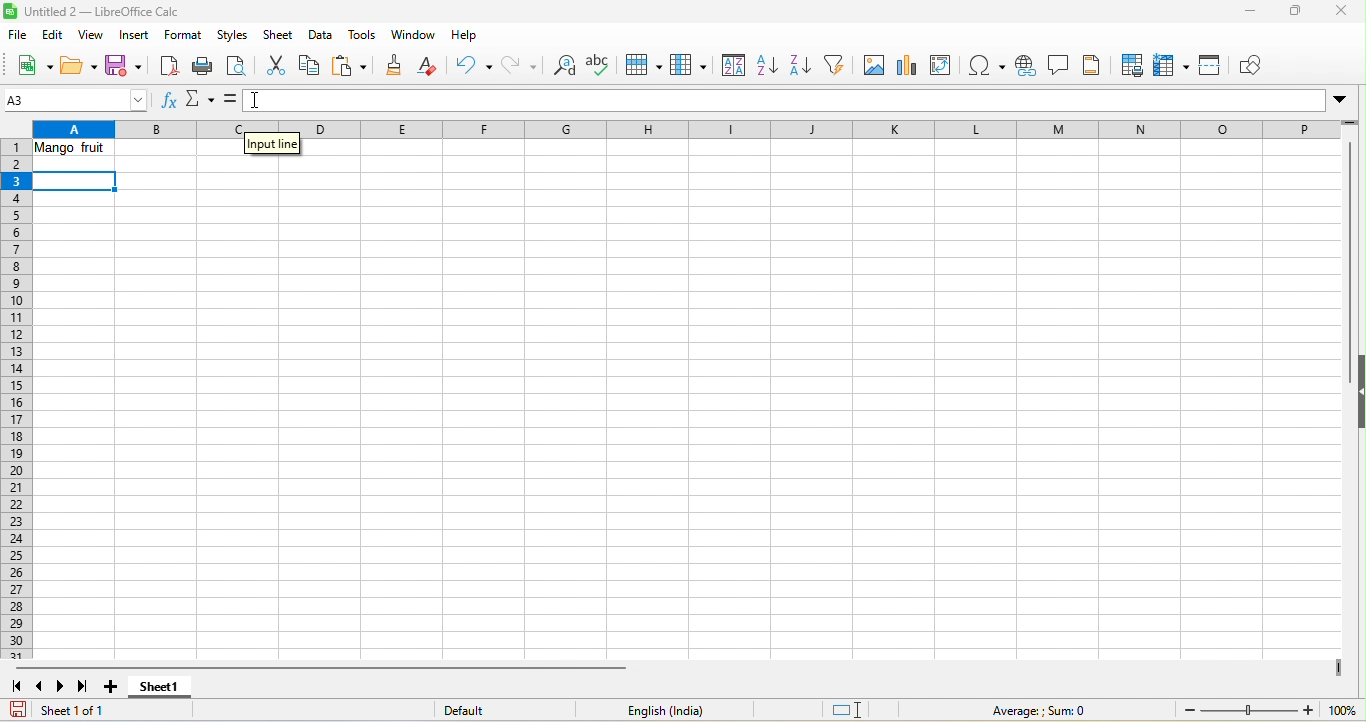 The width and height of the screenshot is (1366, 722). I want to click on export directly as pdf, so click(168, 64).